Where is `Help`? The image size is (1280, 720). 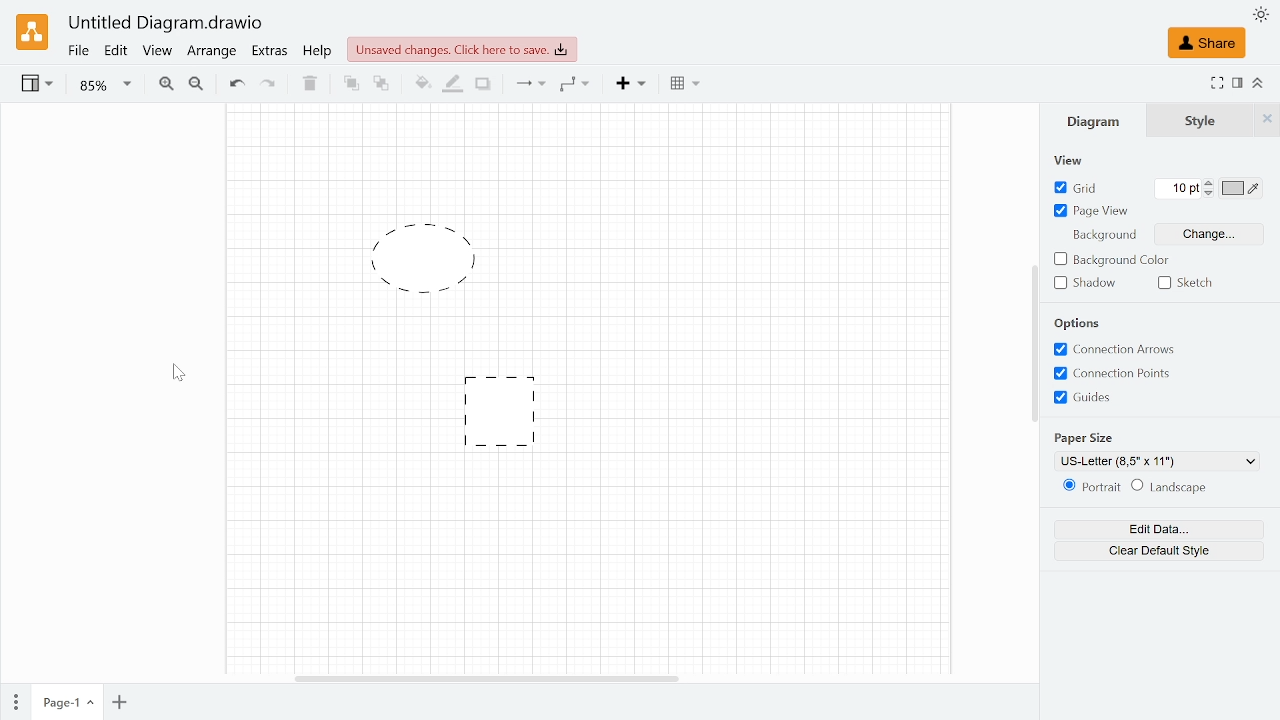
Help is located at coordinates (320, 53).